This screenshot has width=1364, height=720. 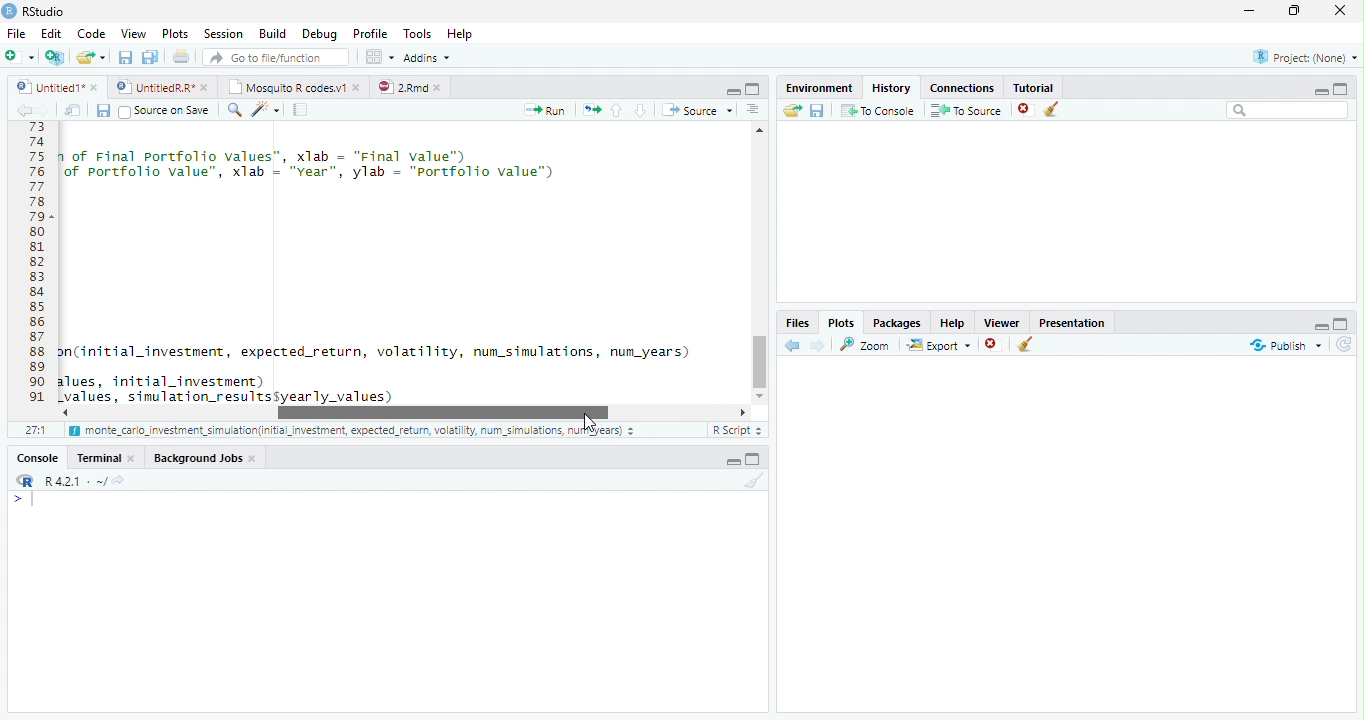 I want to click on Go to file/function, so click(x=274, y=57).